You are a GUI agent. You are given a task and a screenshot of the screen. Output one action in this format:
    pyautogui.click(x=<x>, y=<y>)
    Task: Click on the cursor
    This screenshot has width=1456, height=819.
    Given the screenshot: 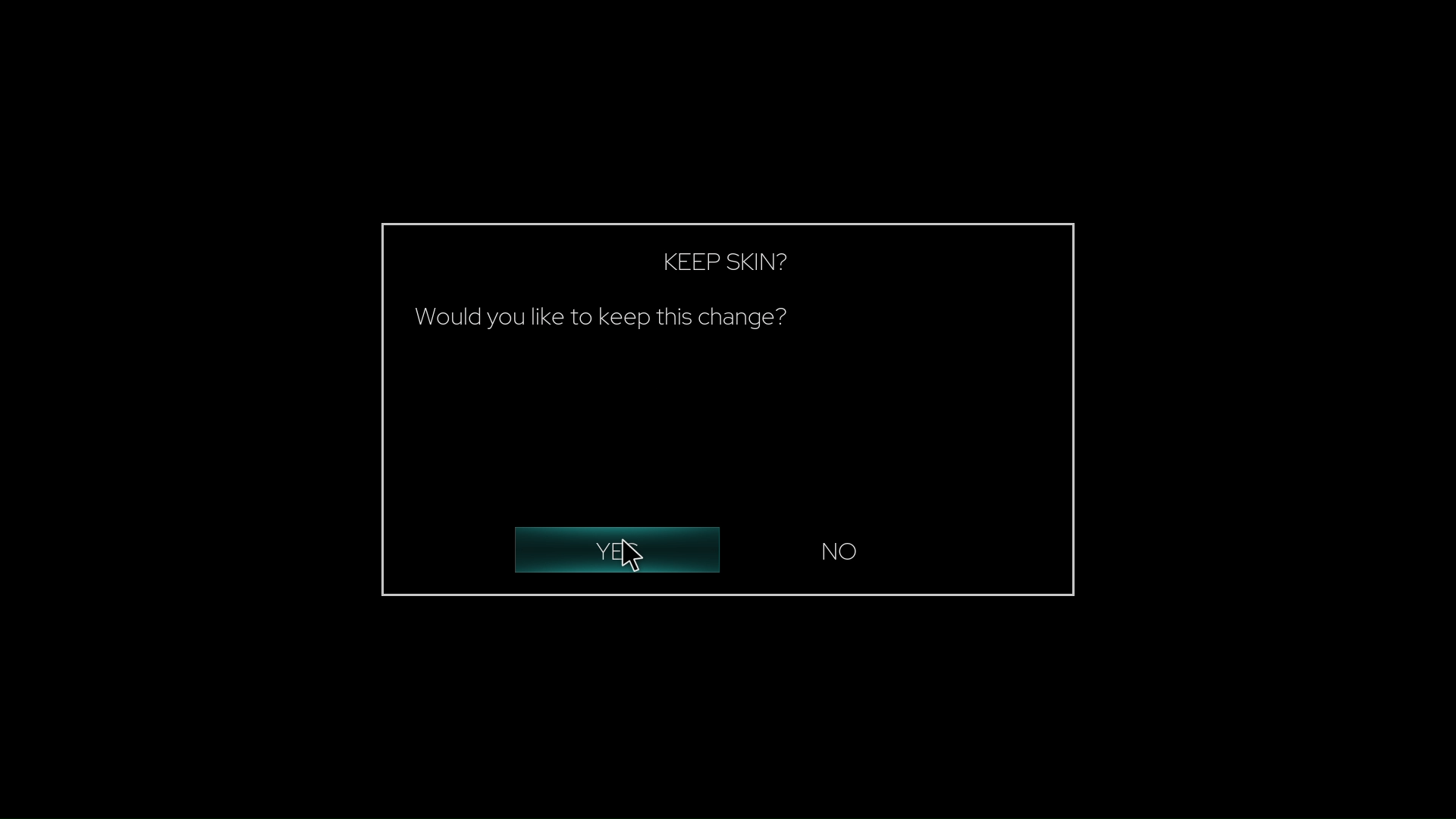 What is the action you would take?
    pyautogui.click(x=637, y=554)
    